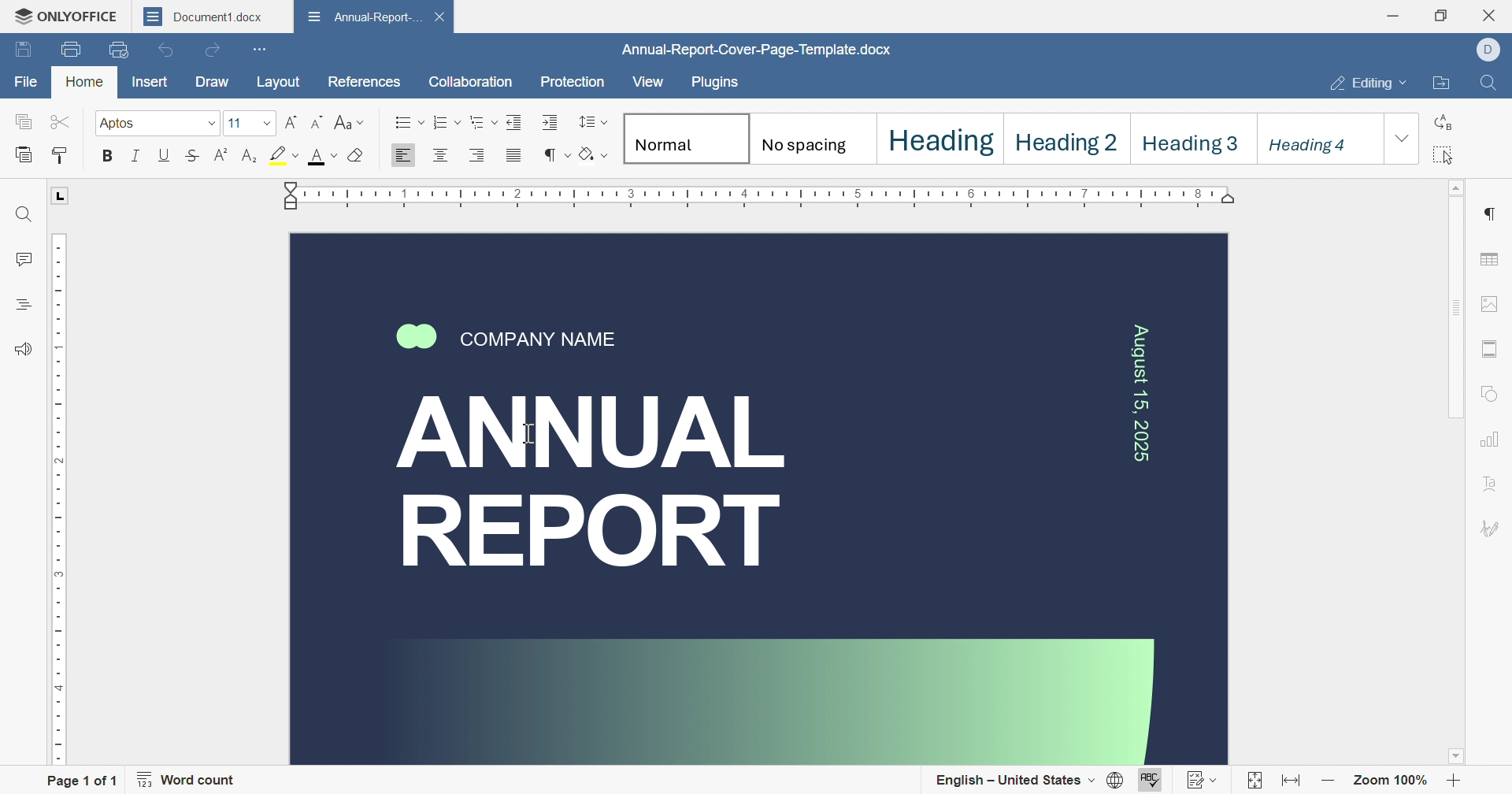 Image resolution: width=1512 pixels, height=794 pixels. I want to click on align left, so click(439, 155).